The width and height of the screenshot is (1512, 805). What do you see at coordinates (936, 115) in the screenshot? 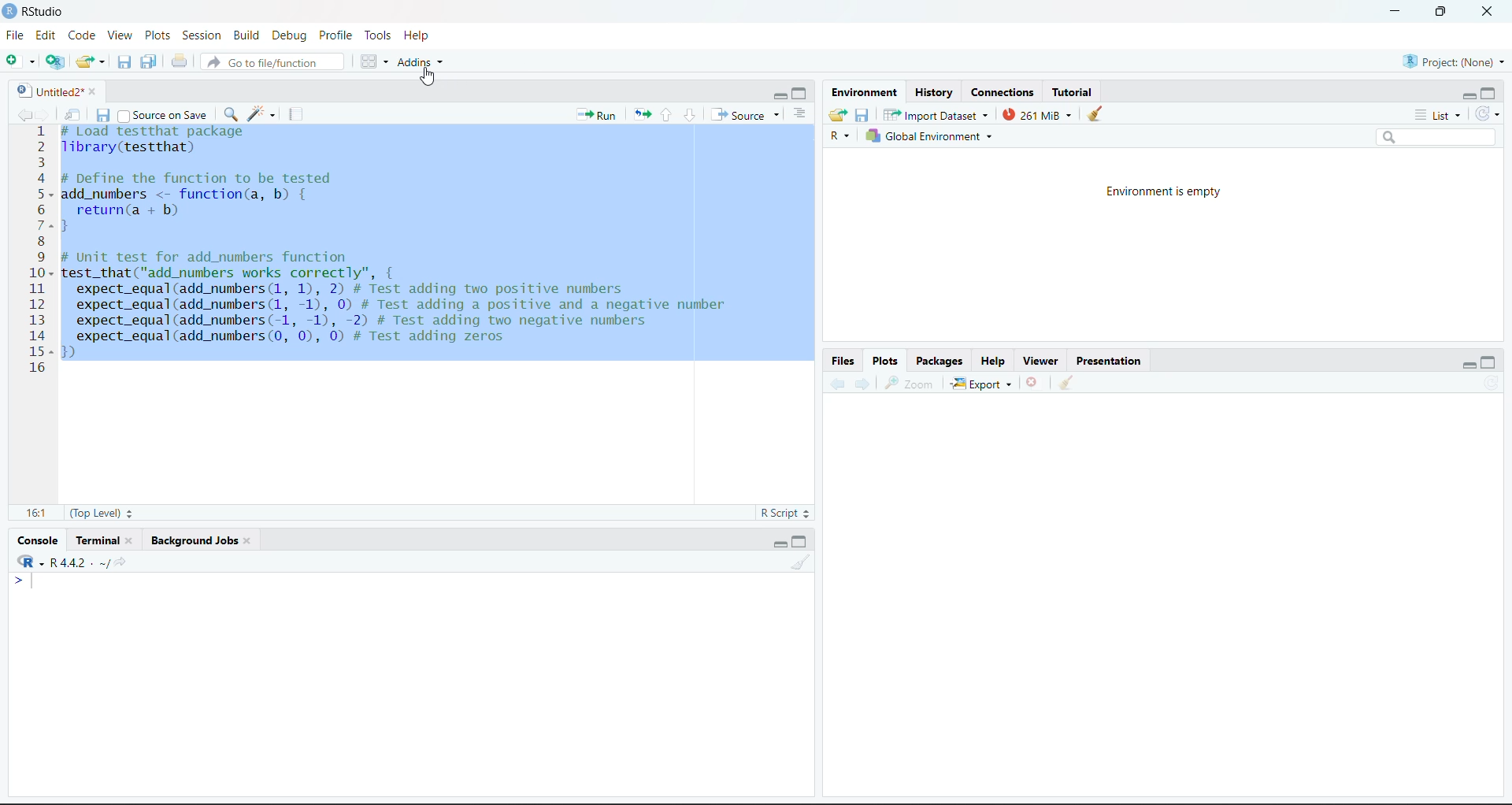
I see `Import Dataset` at bounding box center [936, 115].